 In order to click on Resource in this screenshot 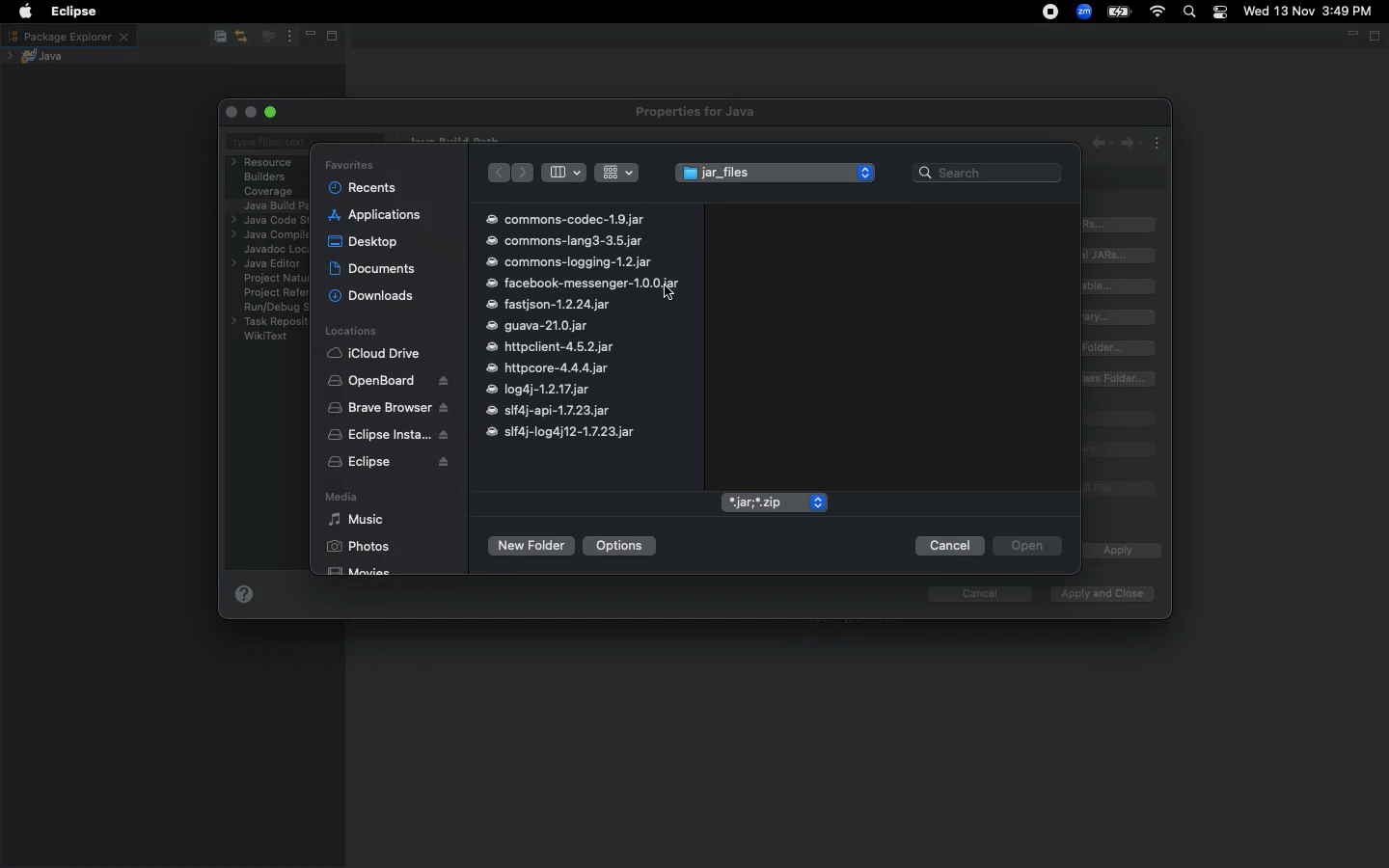, I will do `click(264, 162)`.